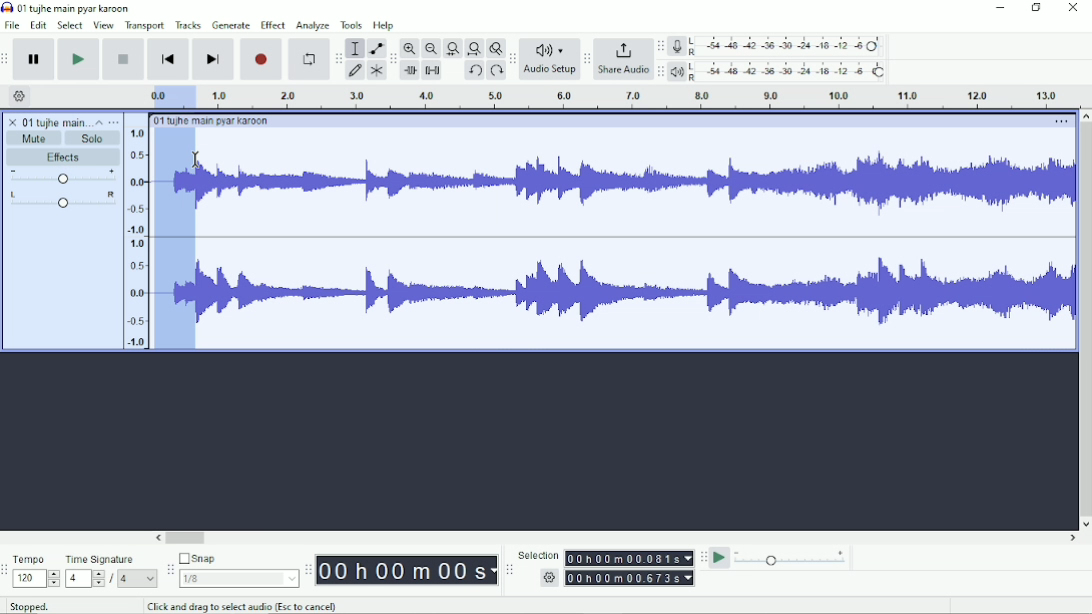 The image size is (1092, 614). What do you see at coordinates (432, 70) in the screenshot?
I see `Silence audio selection` at bounding box center [432, 70].